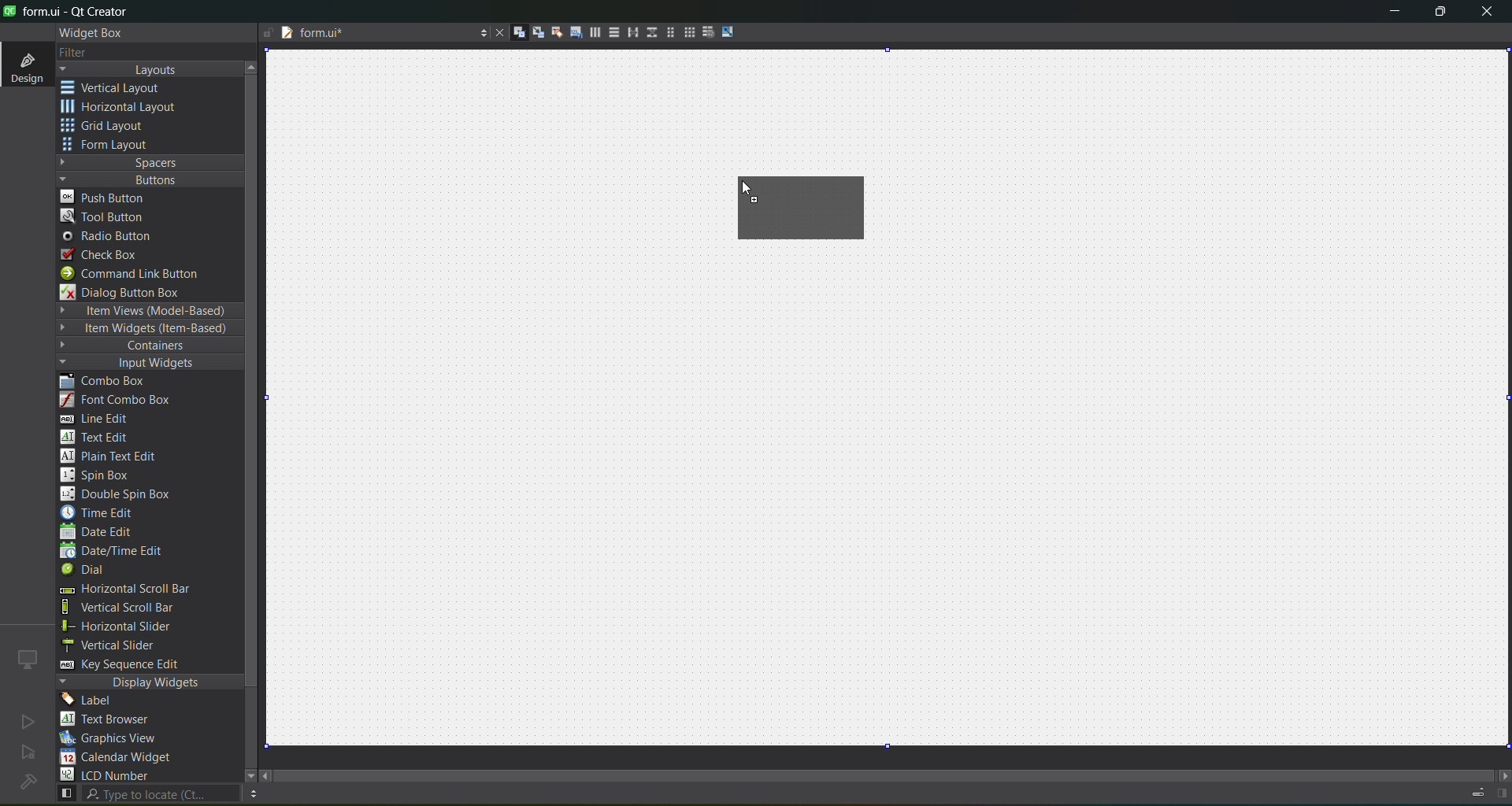  Describe the element at coordinates (122, 109) in the screenshot. I see `horizontal` at that location.